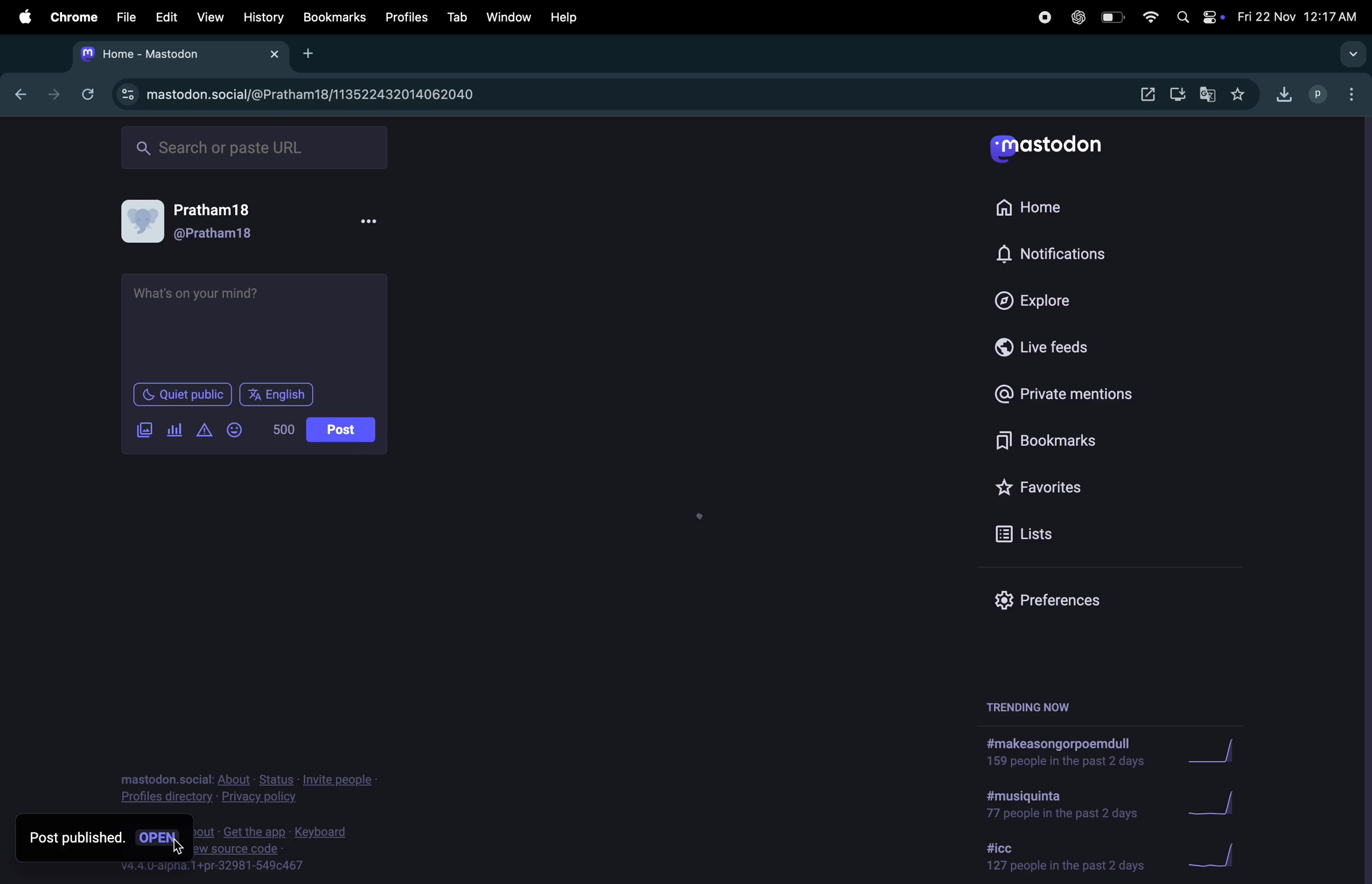  I want to click on hash tag, so click(1063, 805).